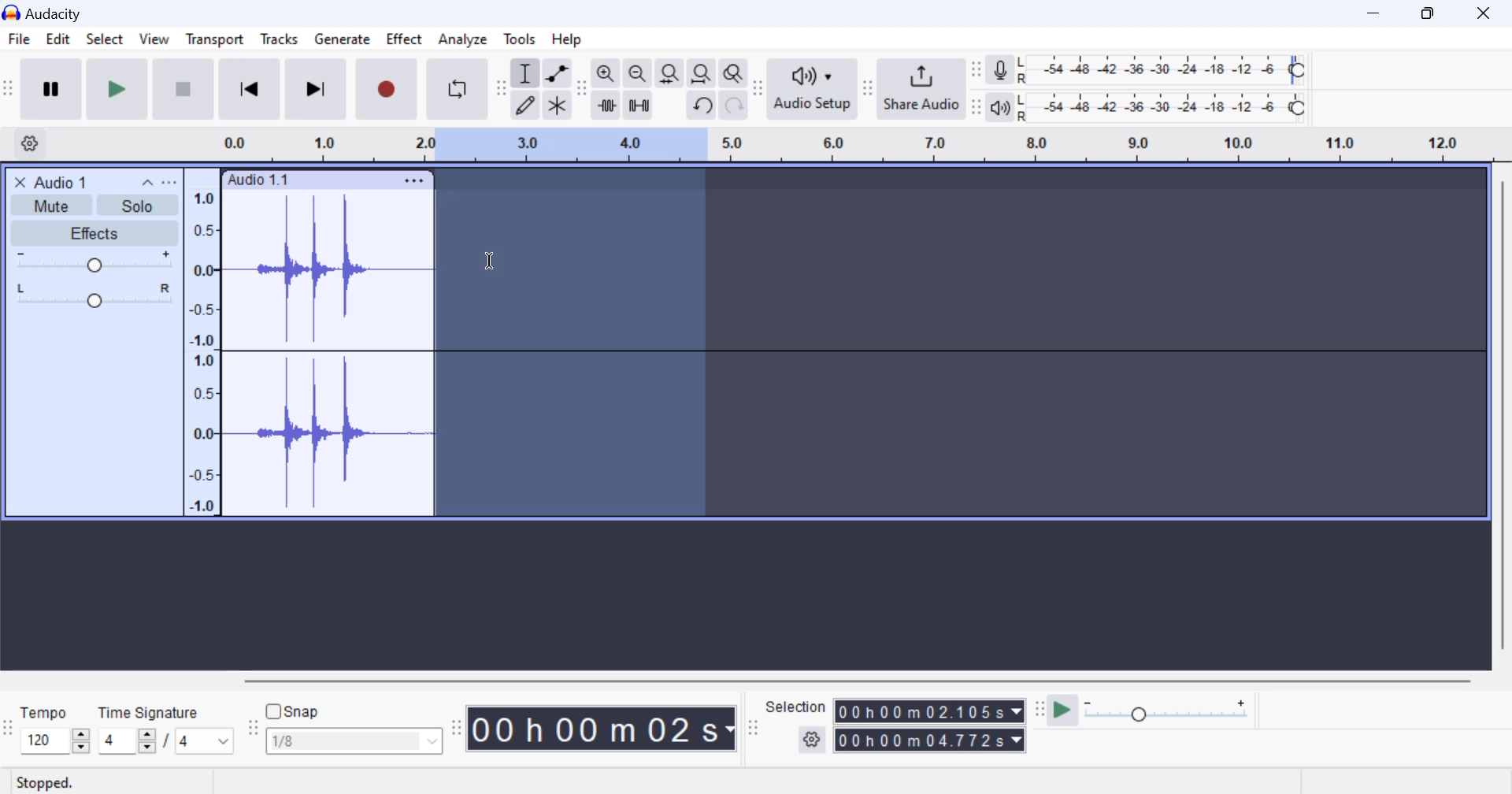 The image size is (1512, 794). What do you see at coordinates (169, 182) in the screenshot?
I see `open menu` at bounding box center [169, 182].